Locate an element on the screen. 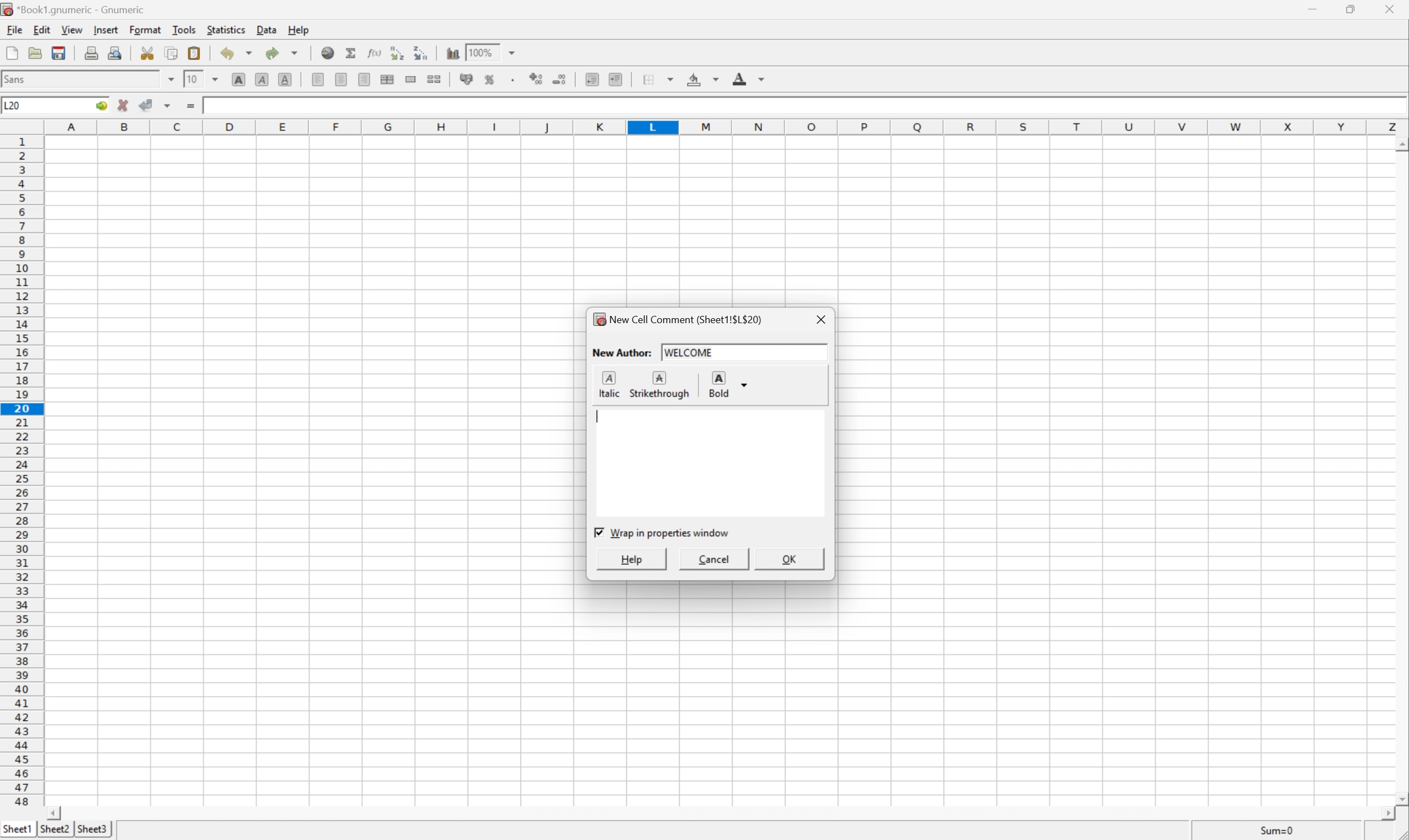  Align Left is located at coordinates (317, 80).